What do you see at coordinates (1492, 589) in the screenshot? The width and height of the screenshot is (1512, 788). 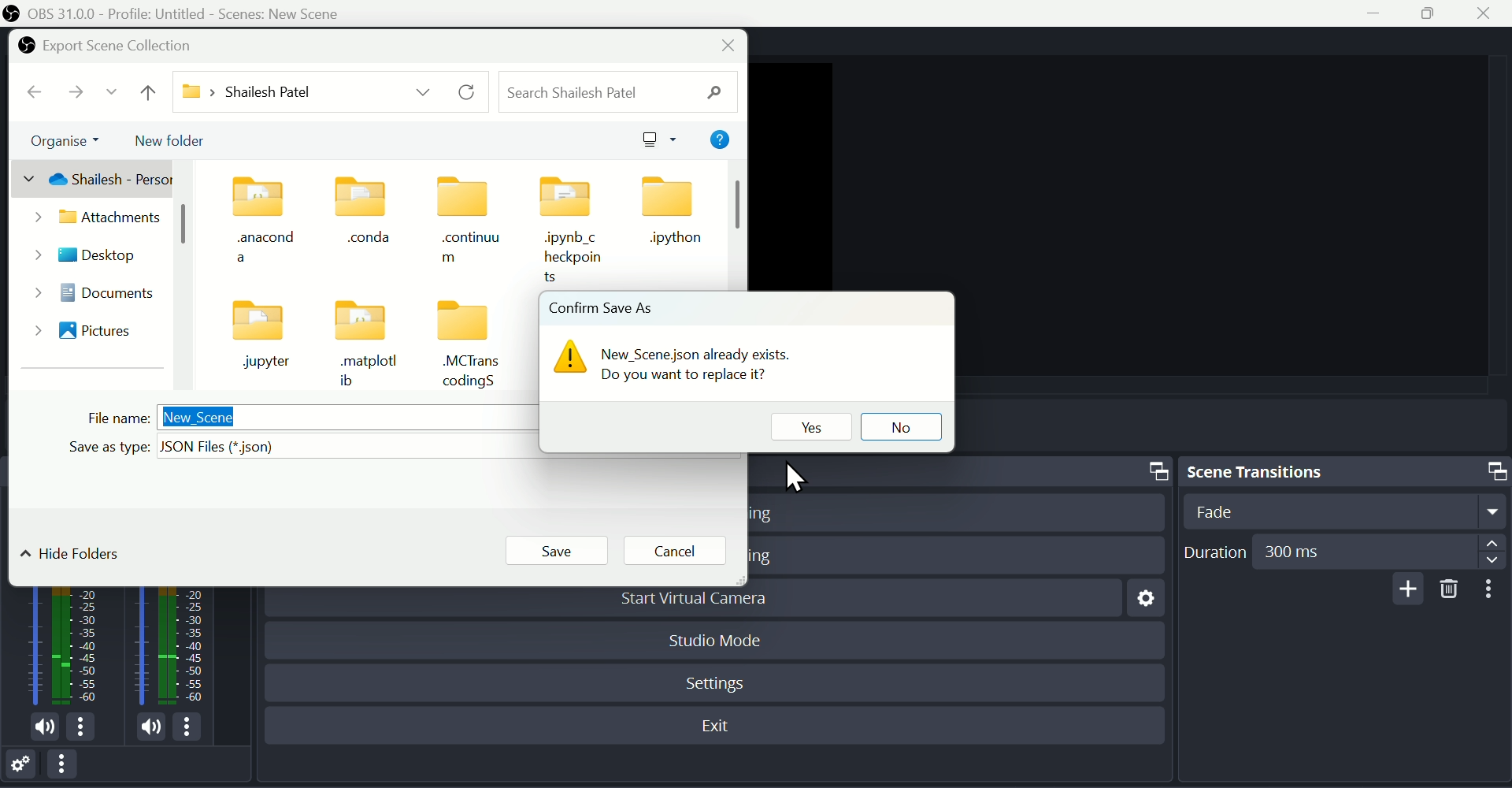 I see `More options` at bounding box center [1492, 589].